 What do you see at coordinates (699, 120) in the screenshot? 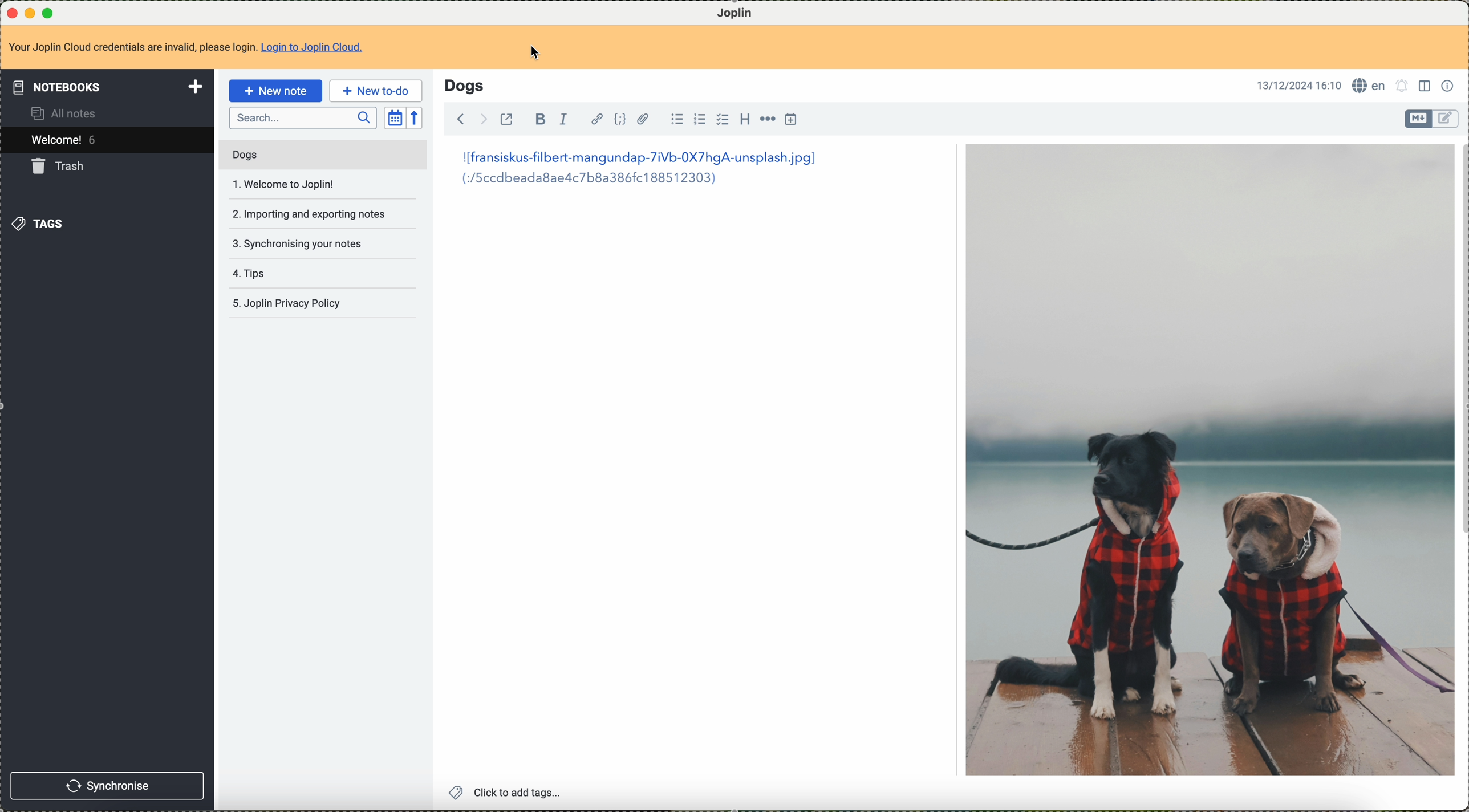
I see `numbered list` at bounding box center [699, 120].